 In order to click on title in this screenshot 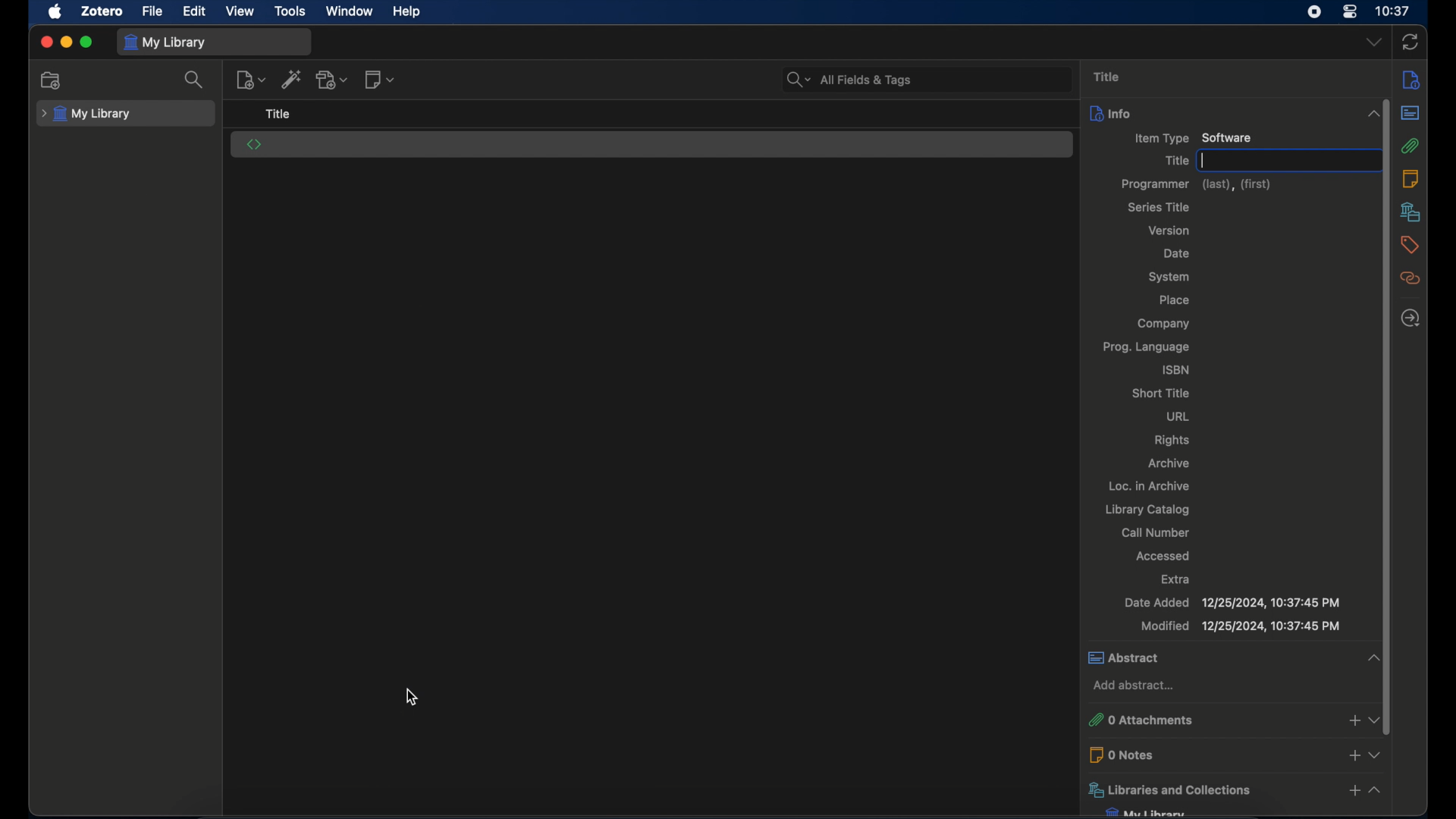, I will do `click(1174, 161)`.